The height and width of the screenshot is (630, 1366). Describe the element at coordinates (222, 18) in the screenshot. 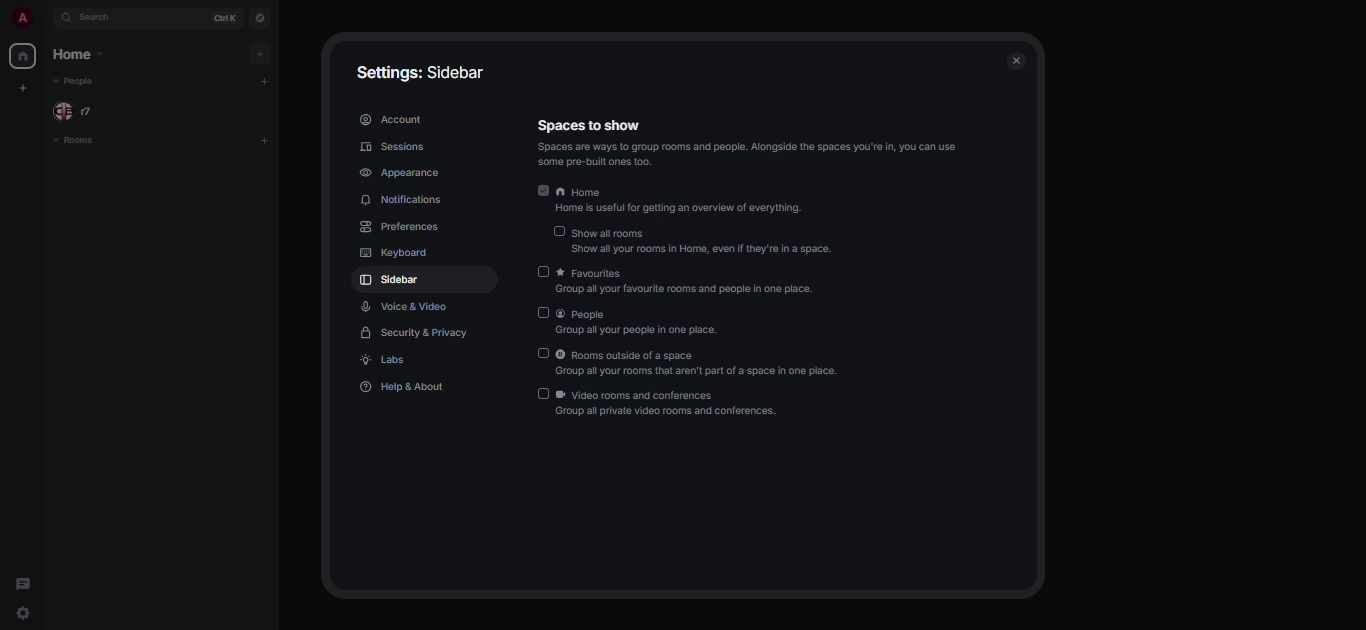

I see `ctrl K` at that location.